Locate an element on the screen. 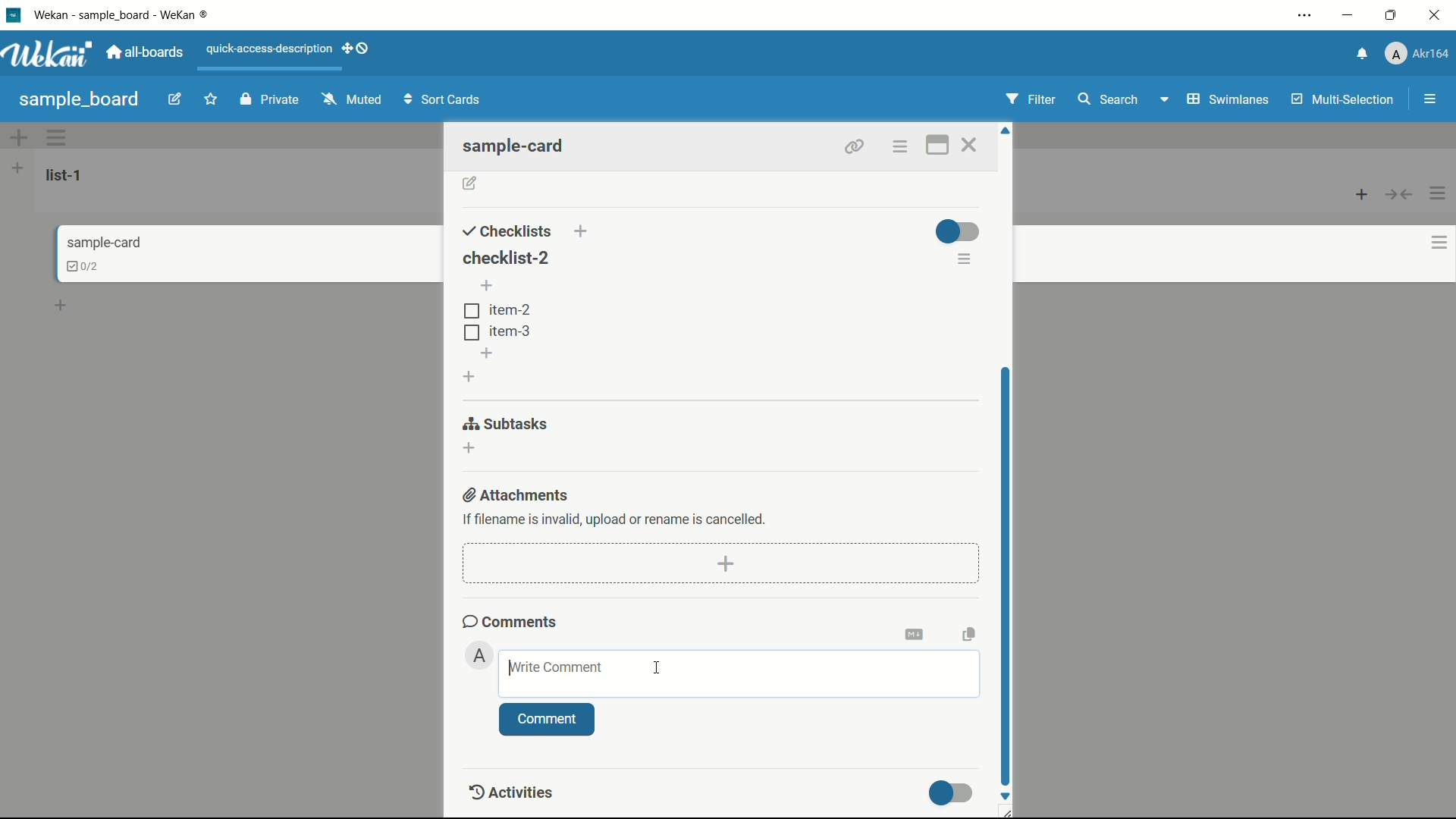 This screenshot has width=1456, height=819. Sort Cards is located at coordinates (445, 99).